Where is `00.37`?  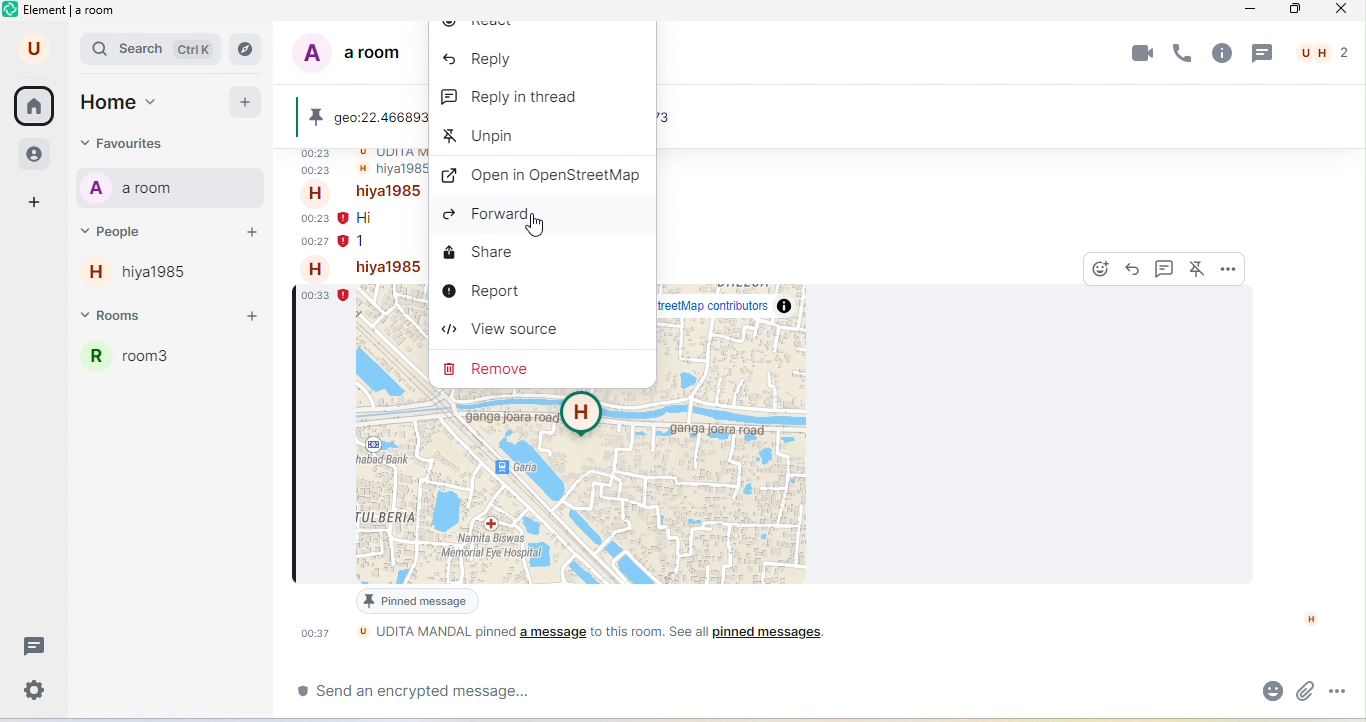
00.37 is located at coordinates (320, 633).